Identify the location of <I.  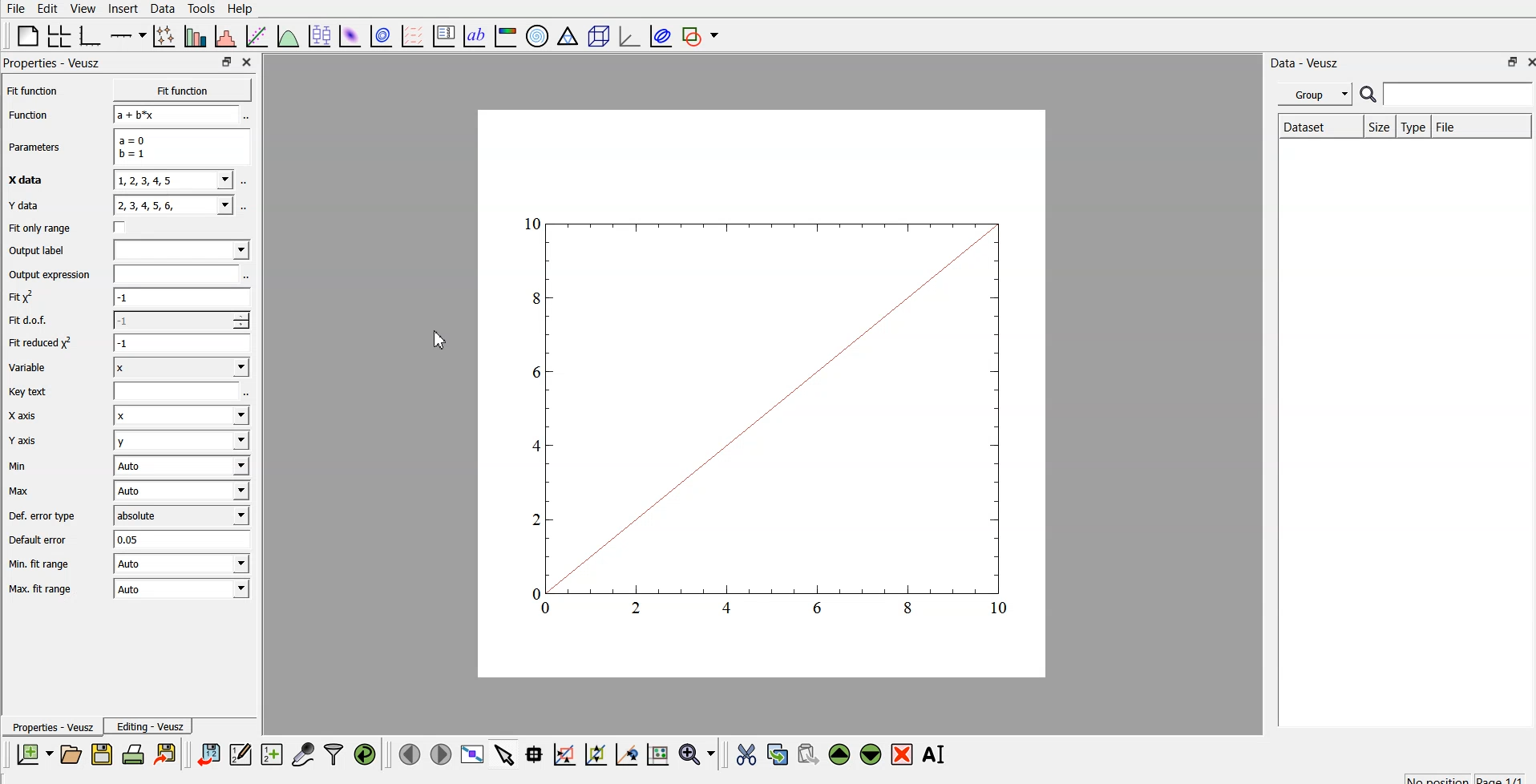
(180, 368).